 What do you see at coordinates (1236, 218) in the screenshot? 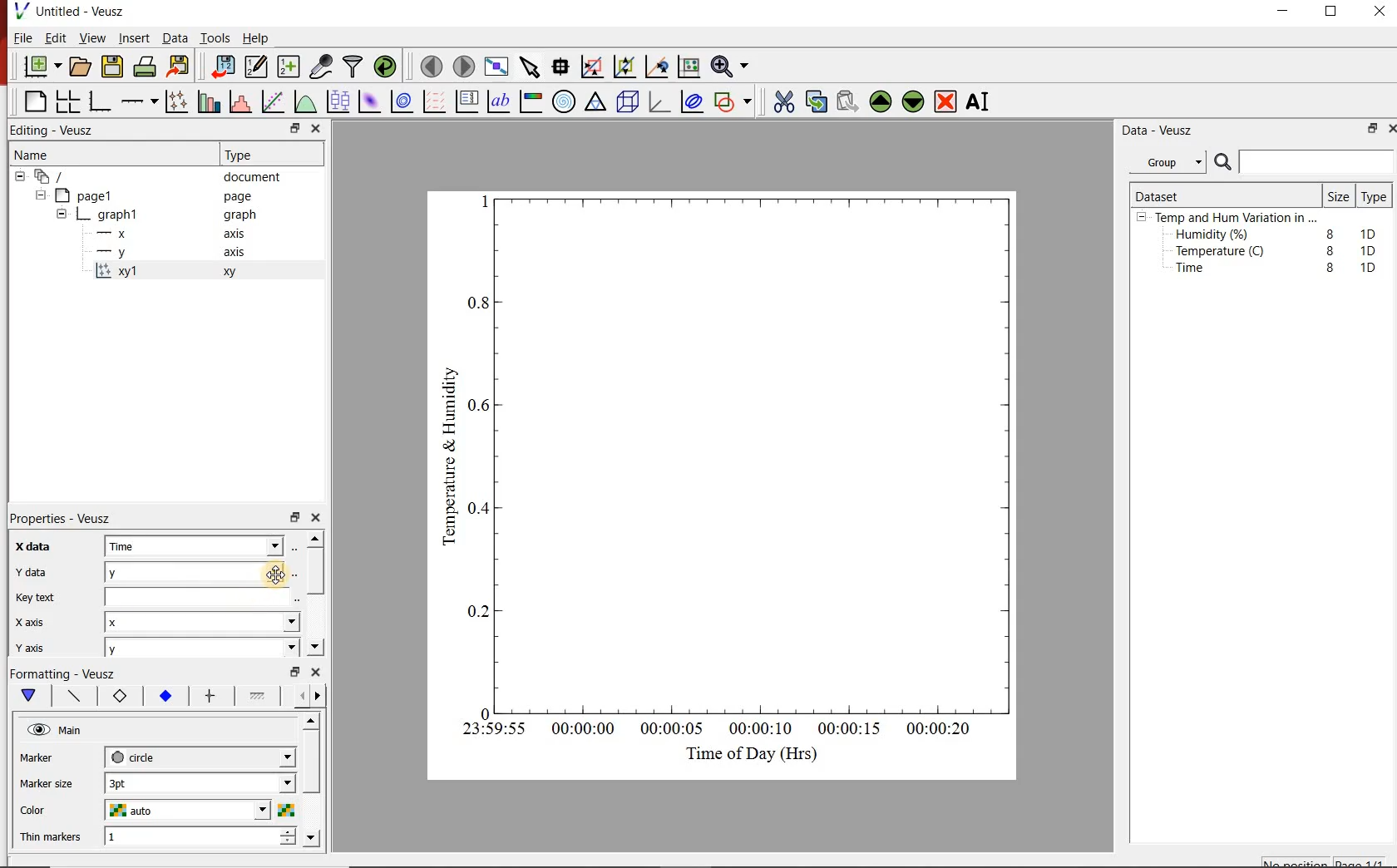
I see `Temp and Hum Variation in ...` at bounding box center [1236, 218].